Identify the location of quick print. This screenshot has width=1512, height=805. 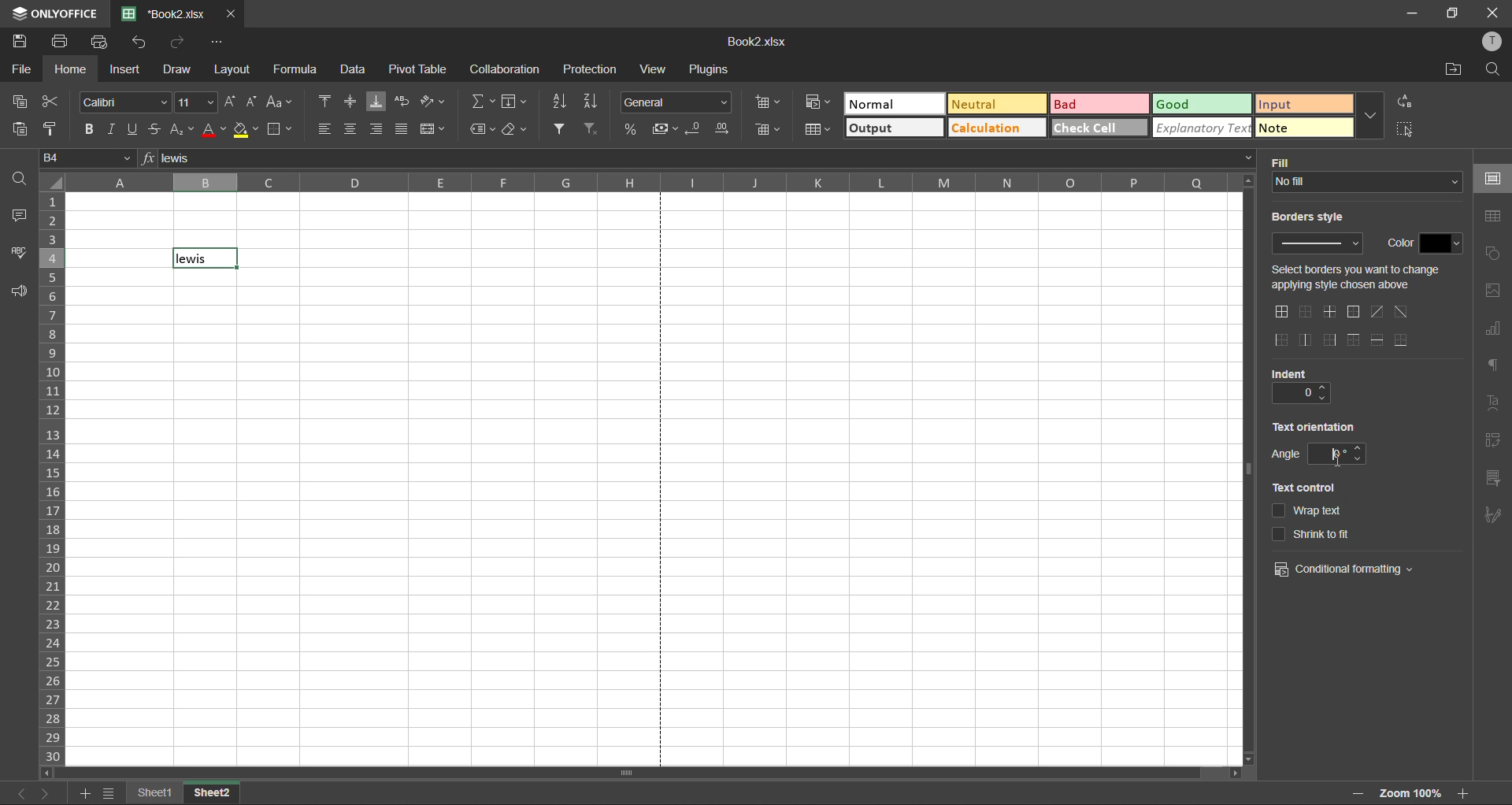
(98, 41).